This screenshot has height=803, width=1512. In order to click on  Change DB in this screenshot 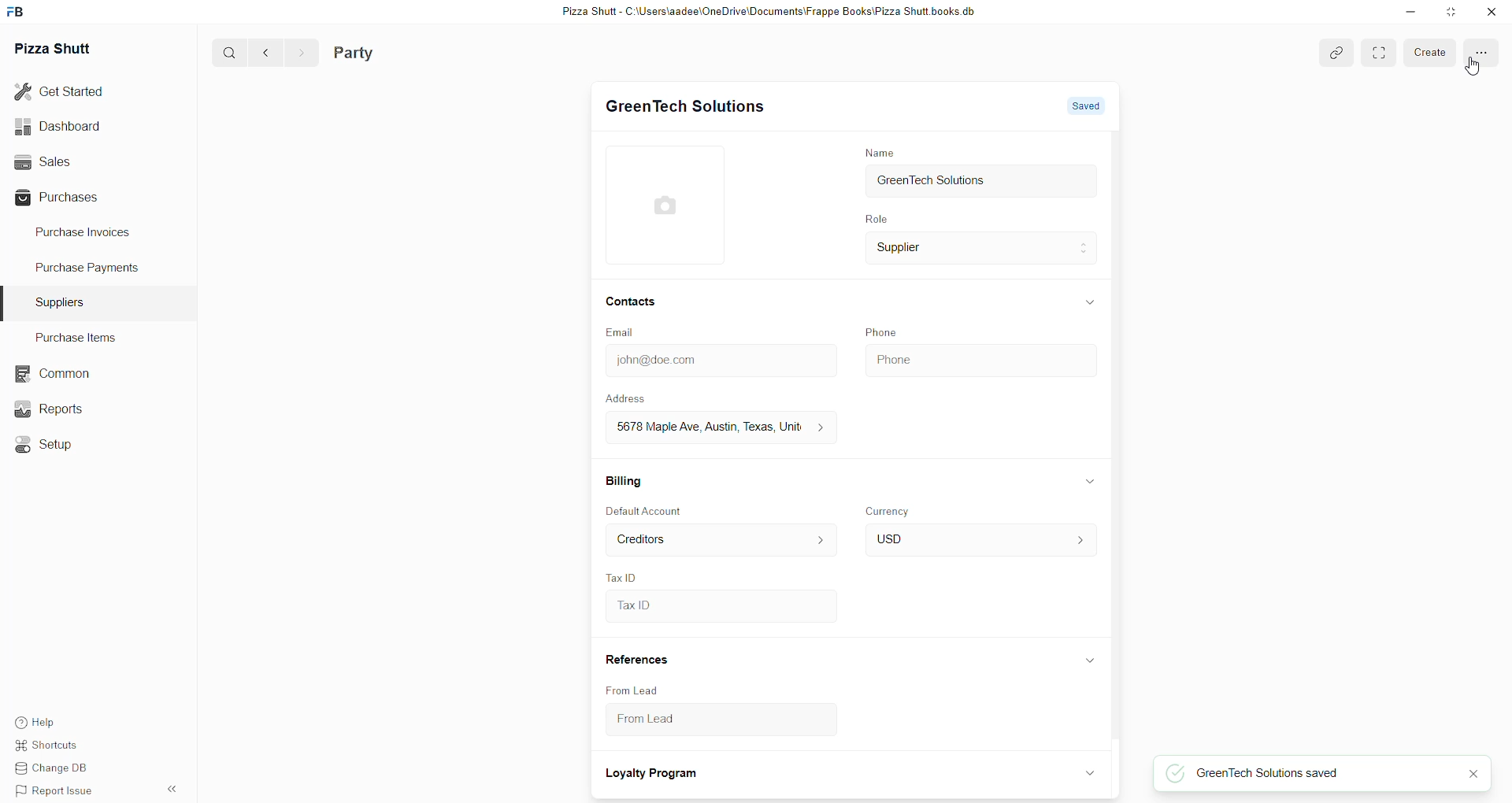, I will do `click(57, 770)`.